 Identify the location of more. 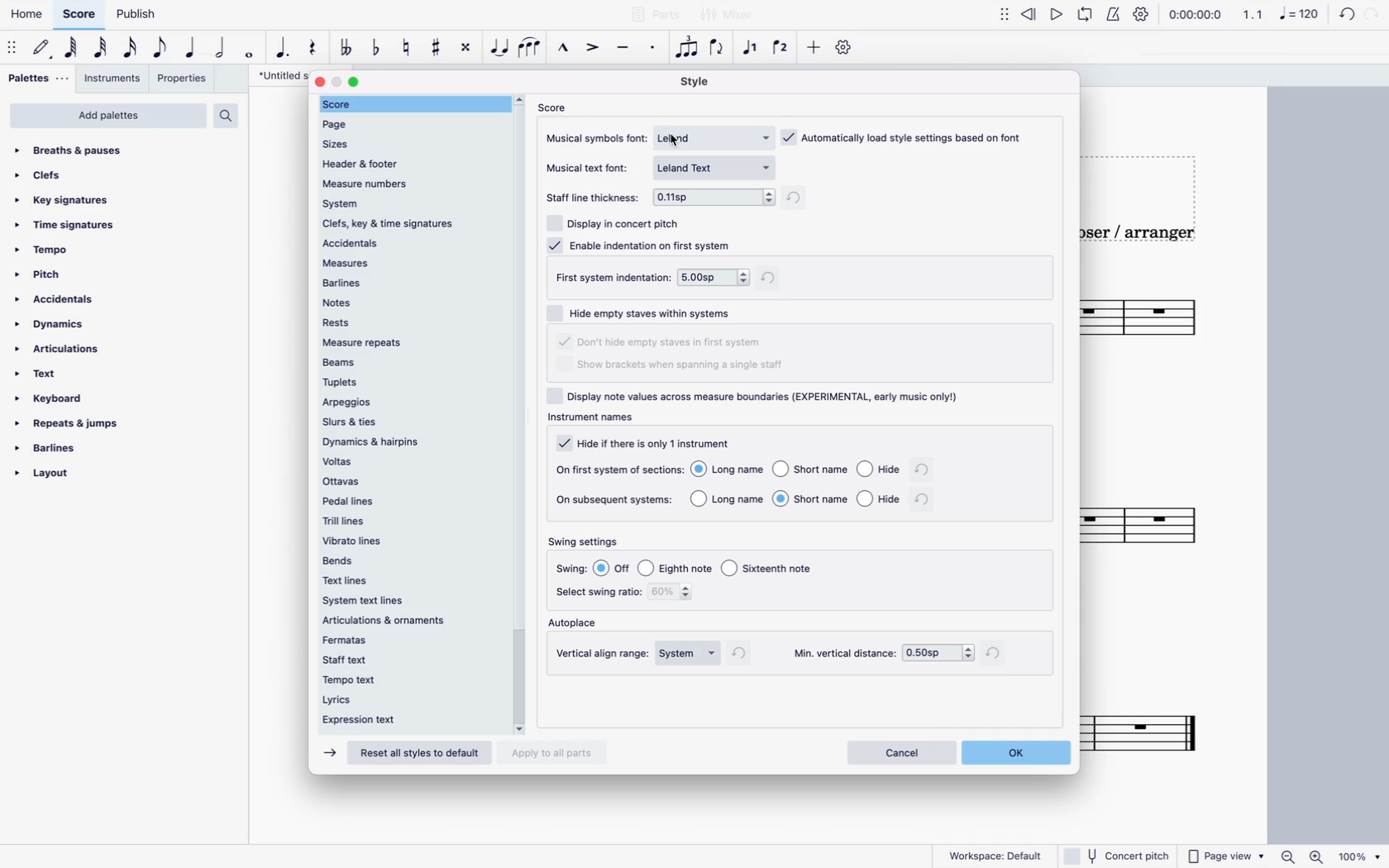
(815, 48).